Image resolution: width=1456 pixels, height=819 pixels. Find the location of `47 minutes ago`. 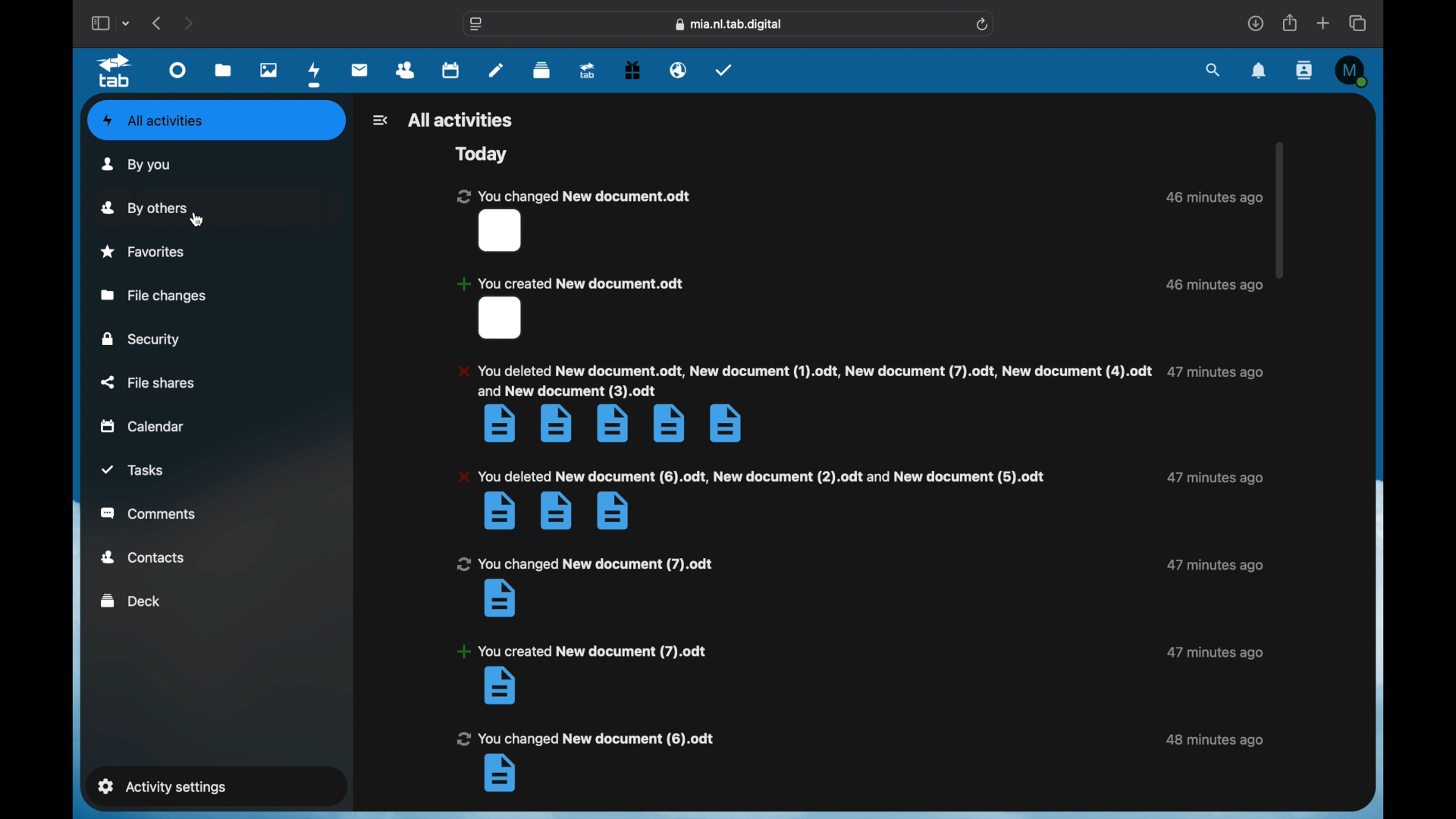

47 minutes ago is located at coordinates (1216, 566).